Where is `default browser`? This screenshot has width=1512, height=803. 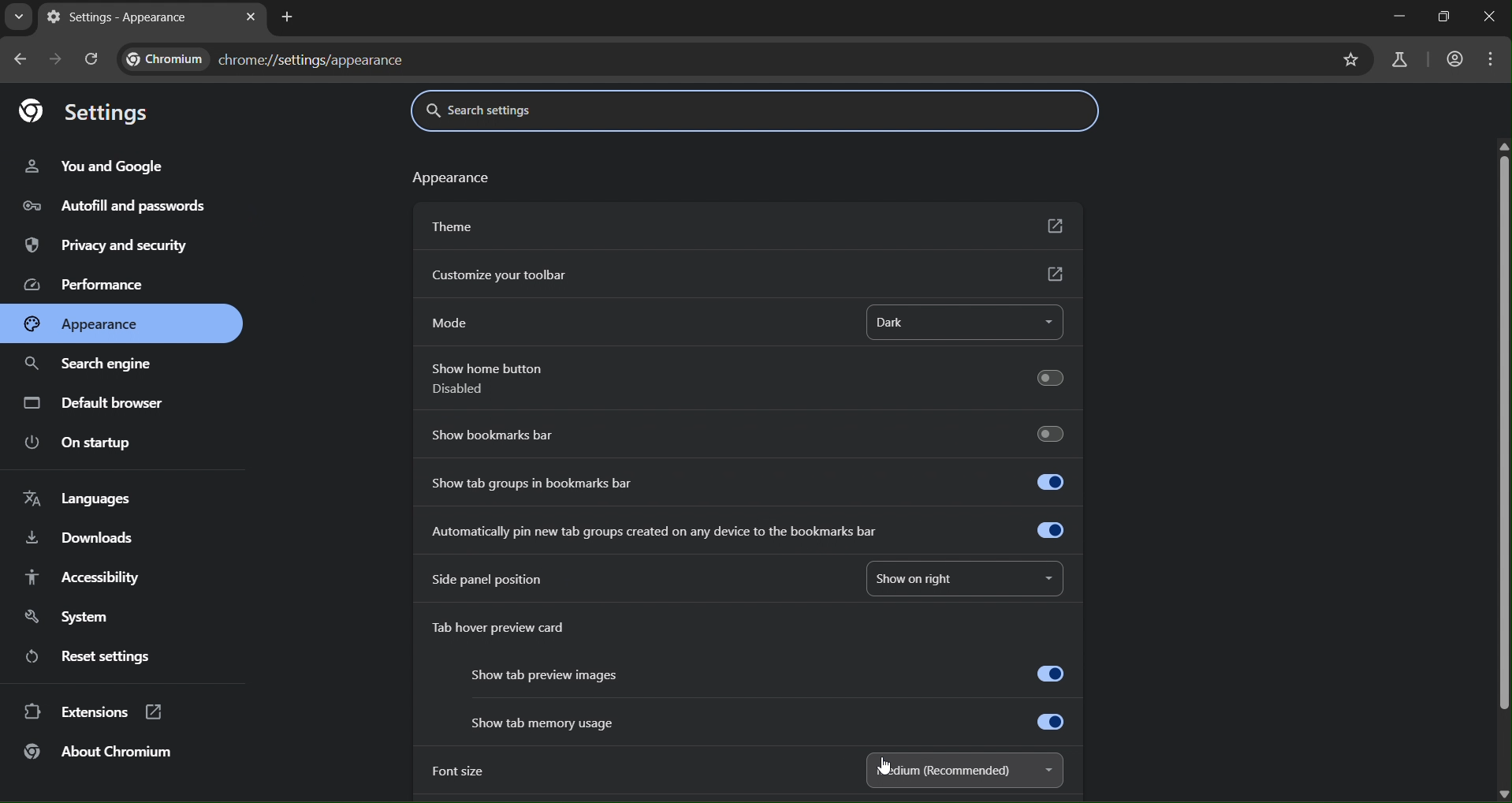 default browser is located at coordinates (100, 405).